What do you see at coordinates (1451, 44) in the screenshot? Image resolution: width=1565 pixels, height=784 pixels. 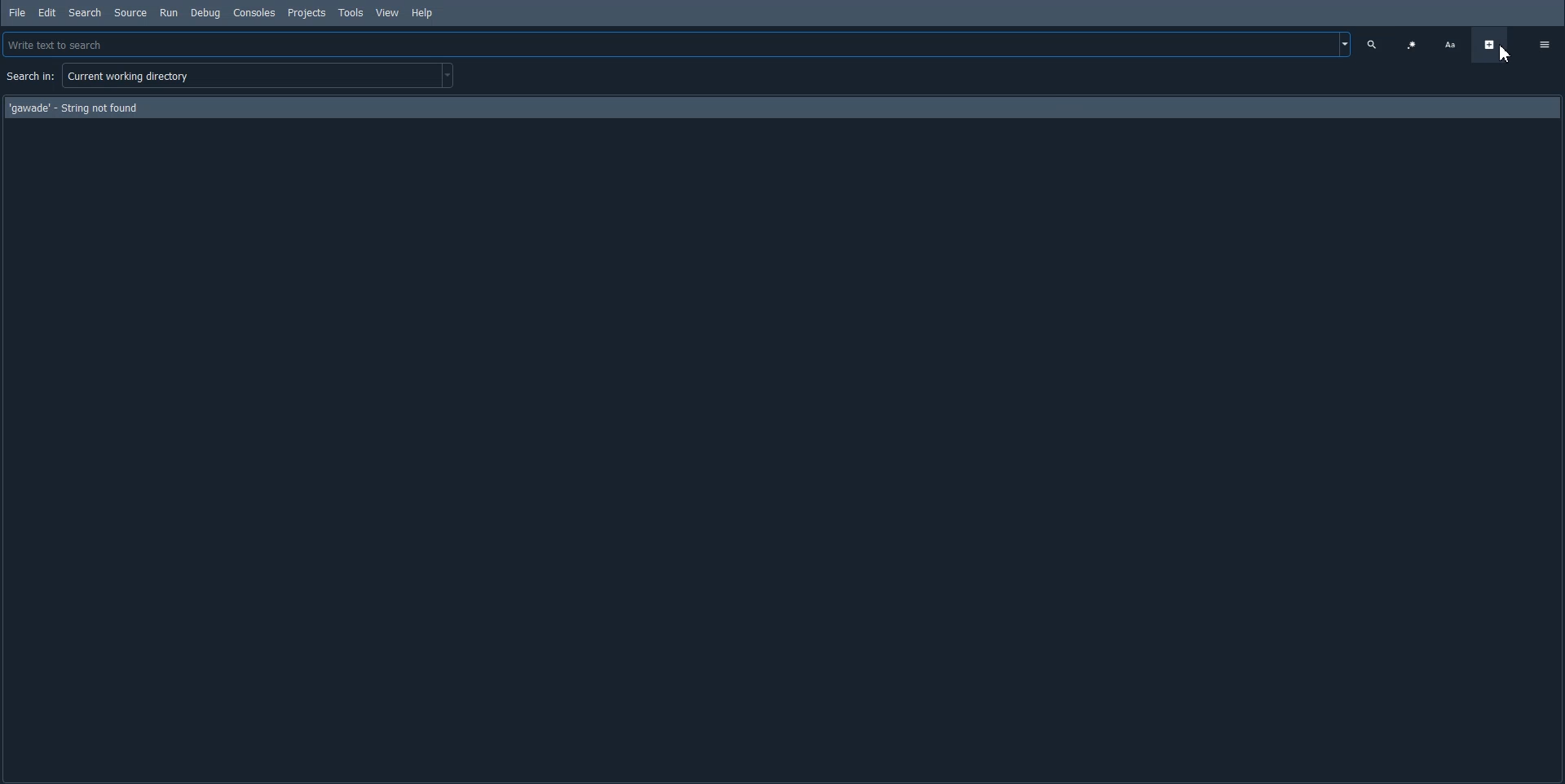 I see `Case Sensitive search` at bounding box center [1451, 44].